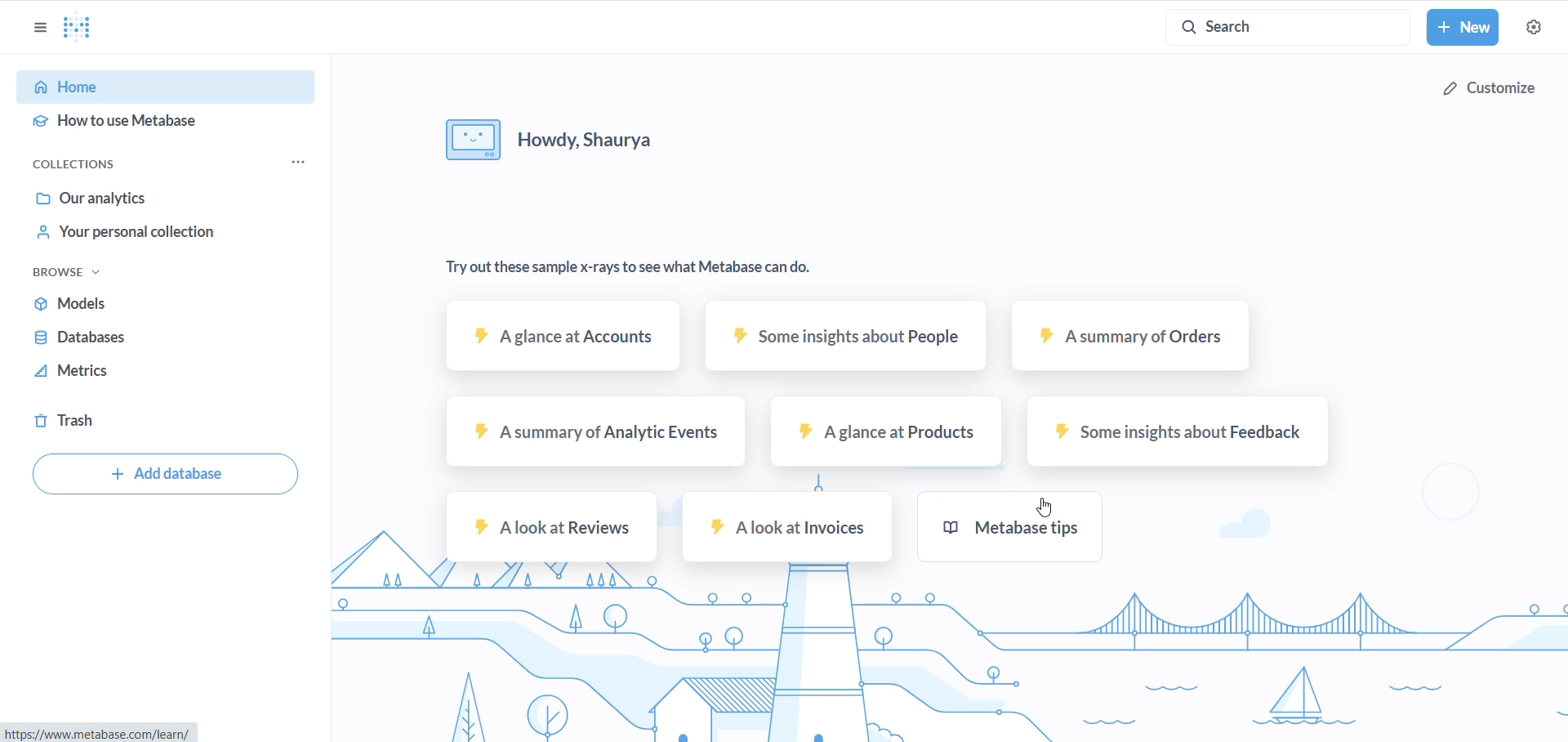 Image resolution: width=1568 pixels, height=742 pixels. I want to click on models, so click(112, 305).